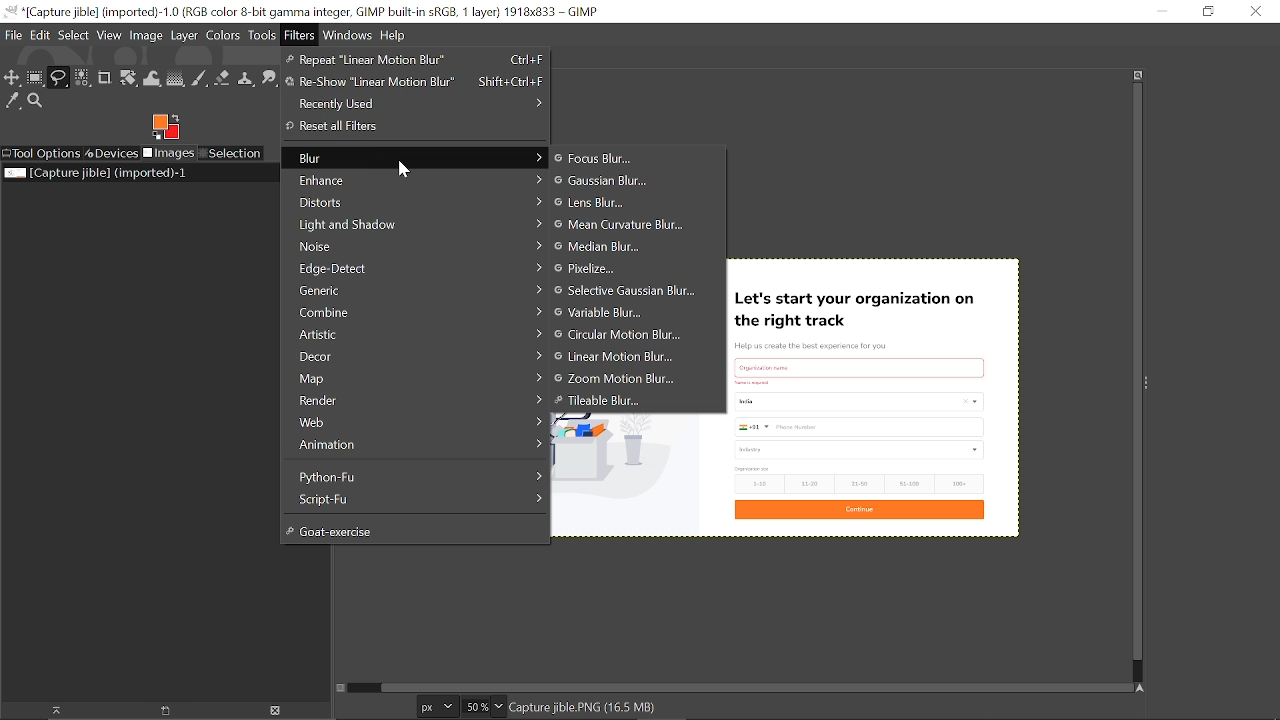 The image size is (1280, 720). I want to click on Sidebar menu, so click(1151, 381).